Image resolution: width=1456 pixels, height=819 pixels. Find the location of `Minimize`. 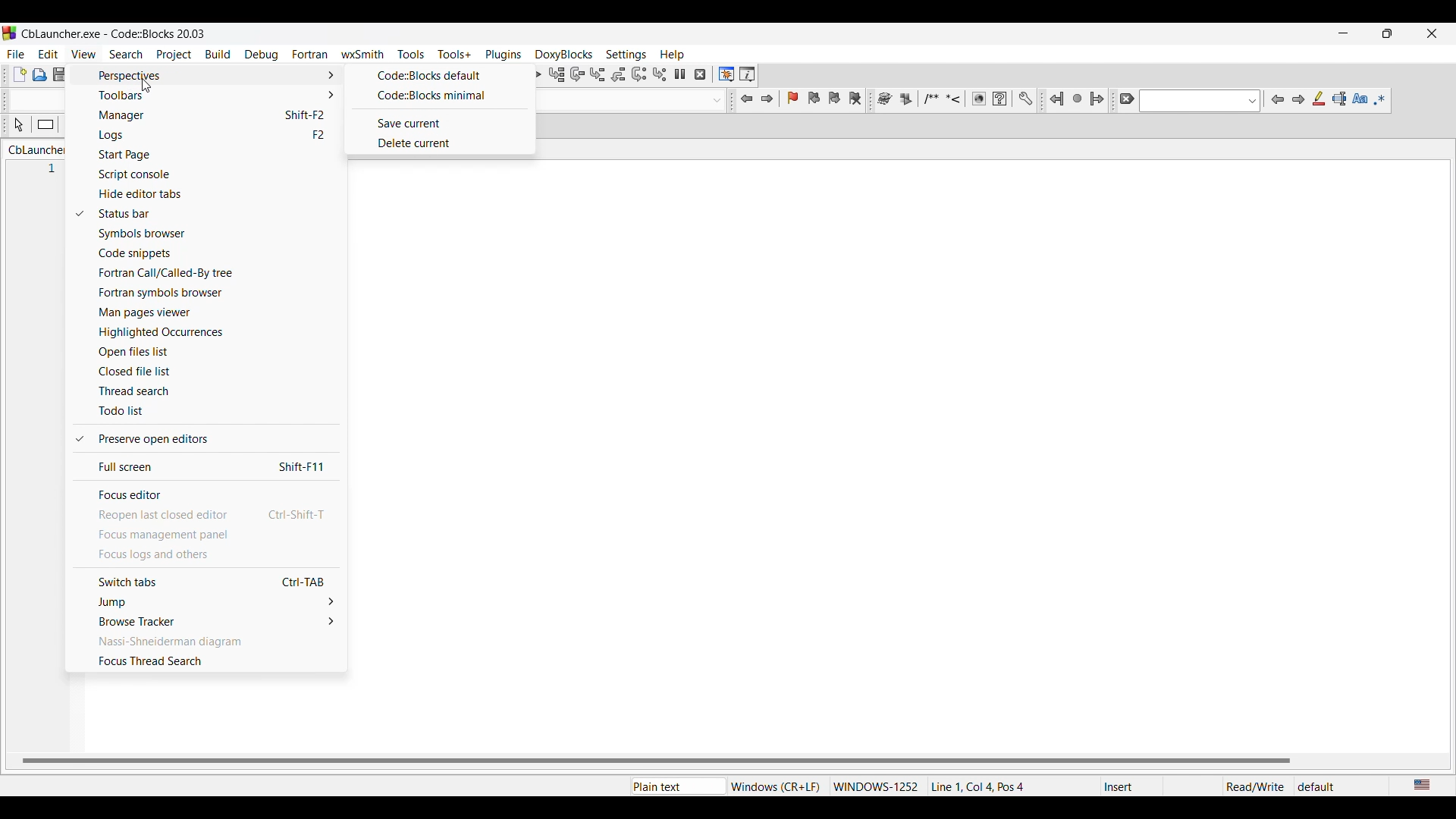

Minimize is located at coordinates (1343, 33).